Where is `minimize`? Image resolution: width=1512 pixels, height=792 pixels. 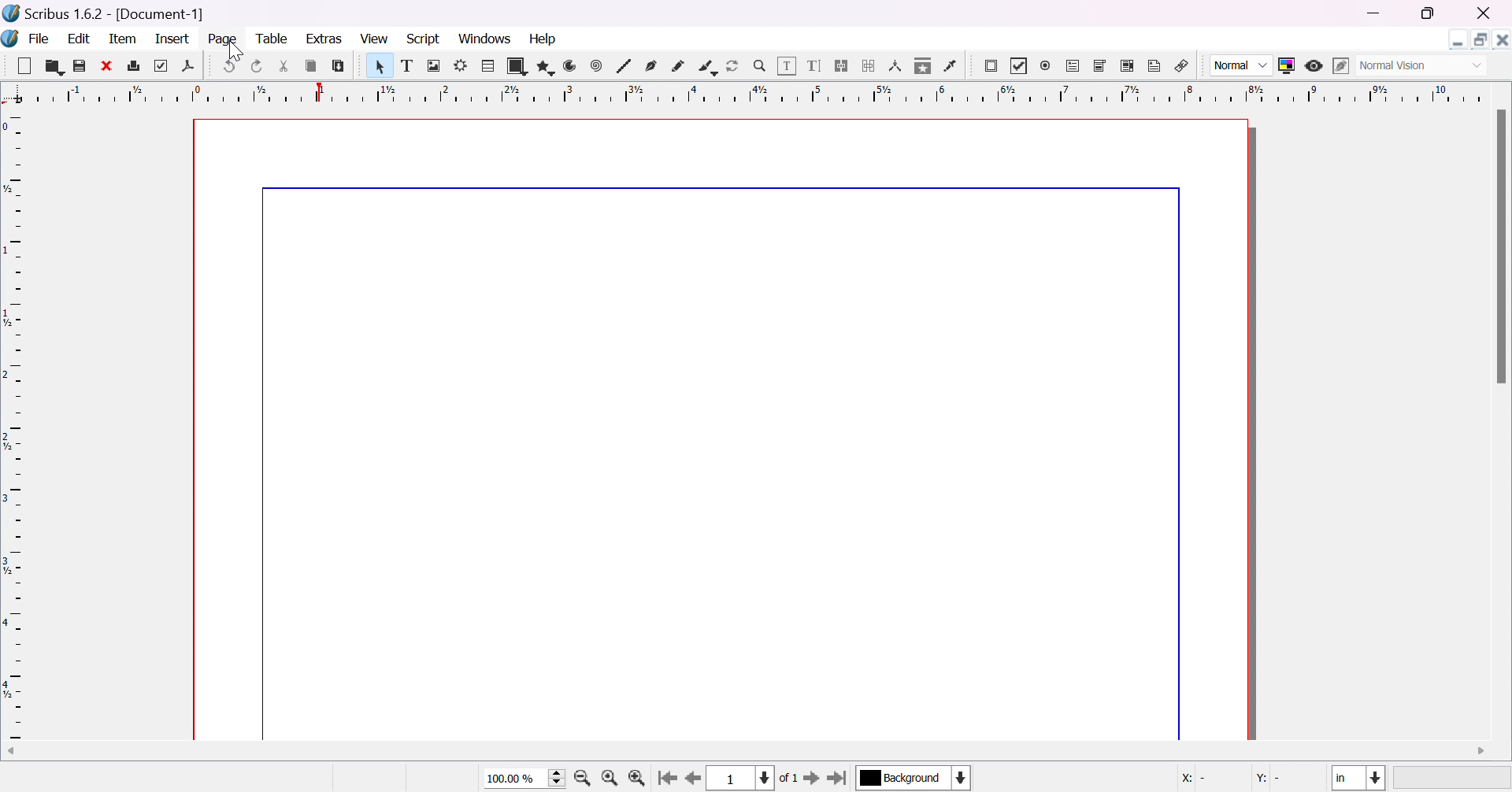
minimize is located at coordinates (1371, 13).